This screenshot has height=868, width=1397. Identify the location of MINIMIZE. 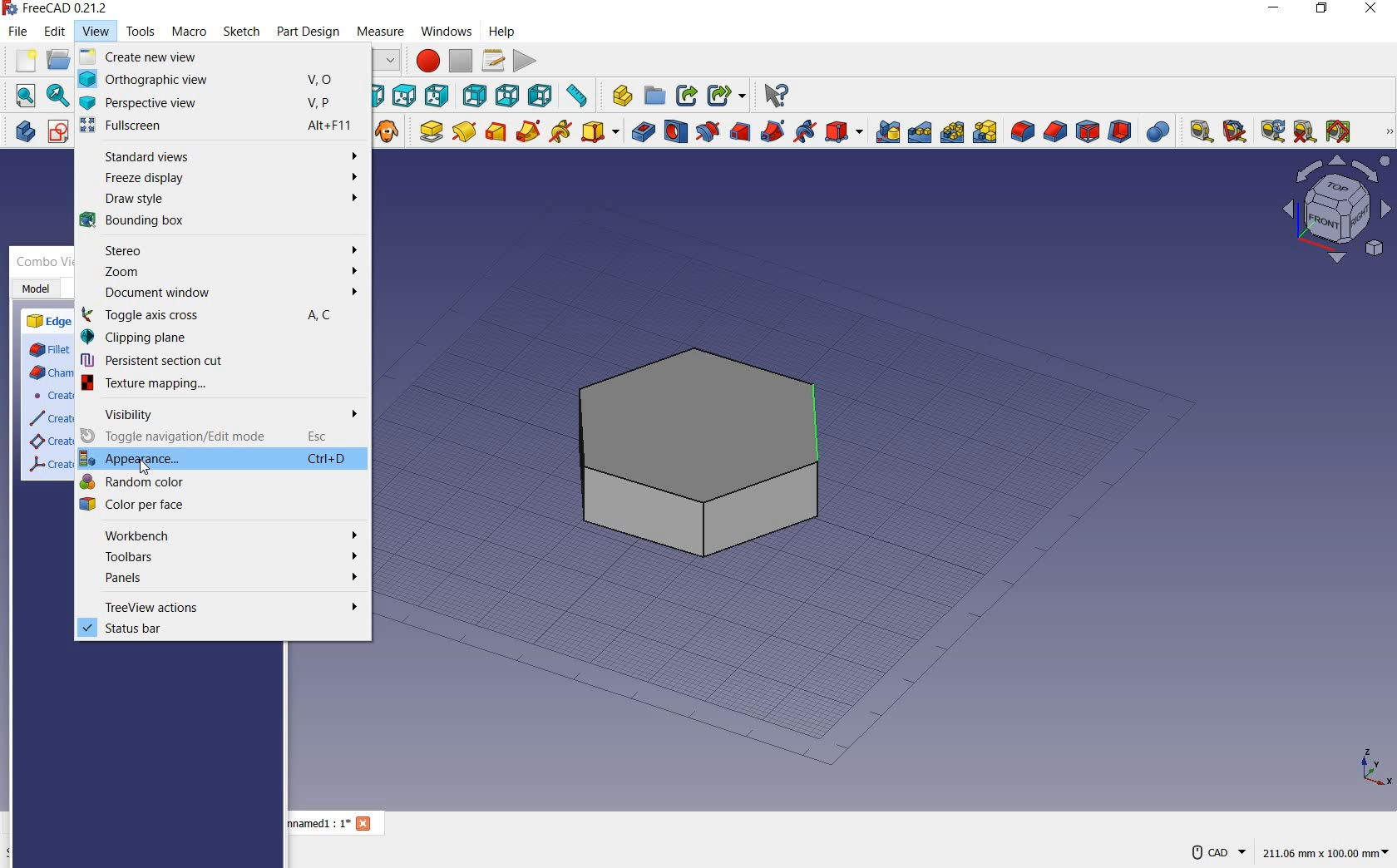
(1275, 11).